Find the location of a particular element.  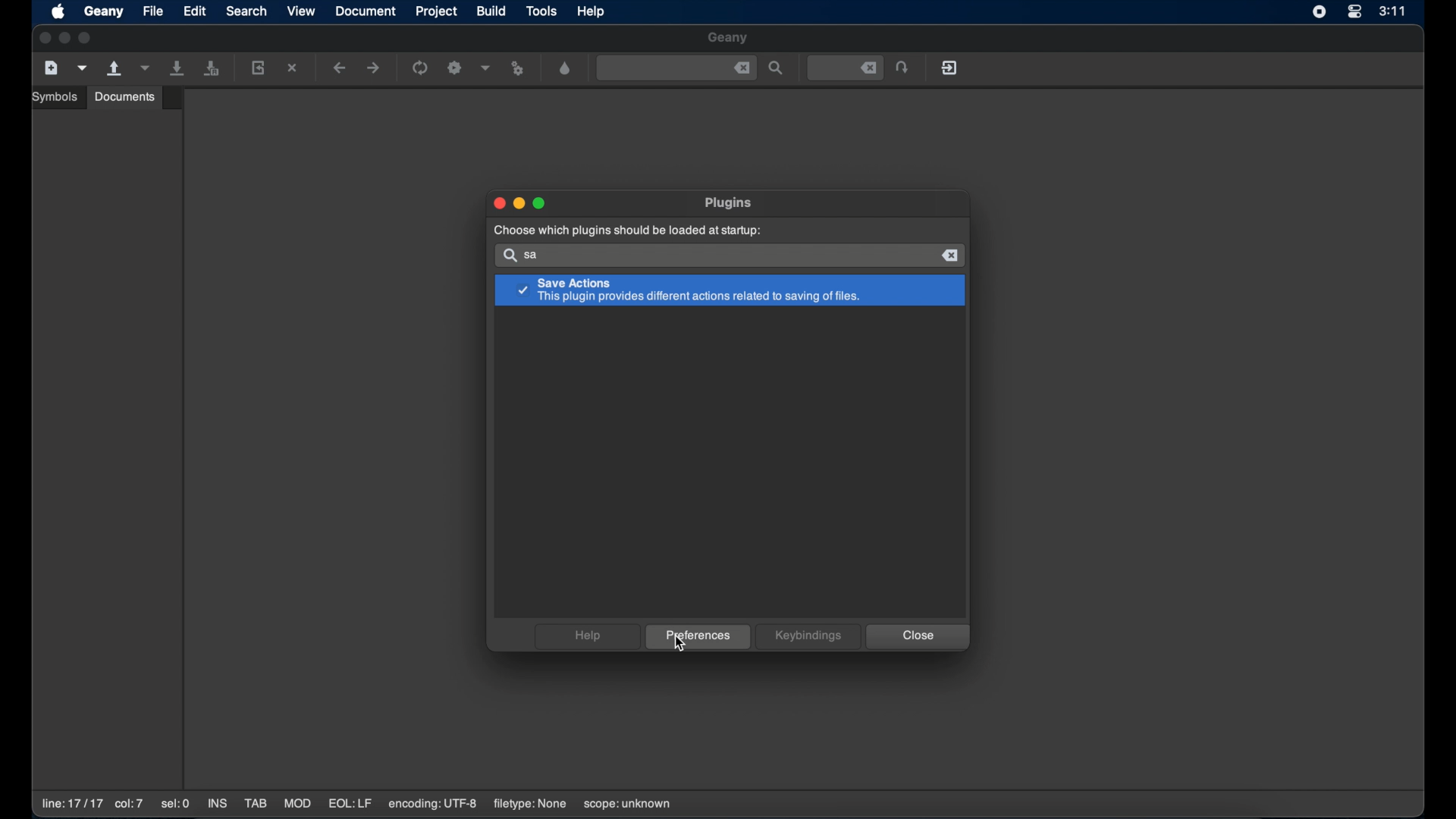

cursor is located at coordinates (679, 645).